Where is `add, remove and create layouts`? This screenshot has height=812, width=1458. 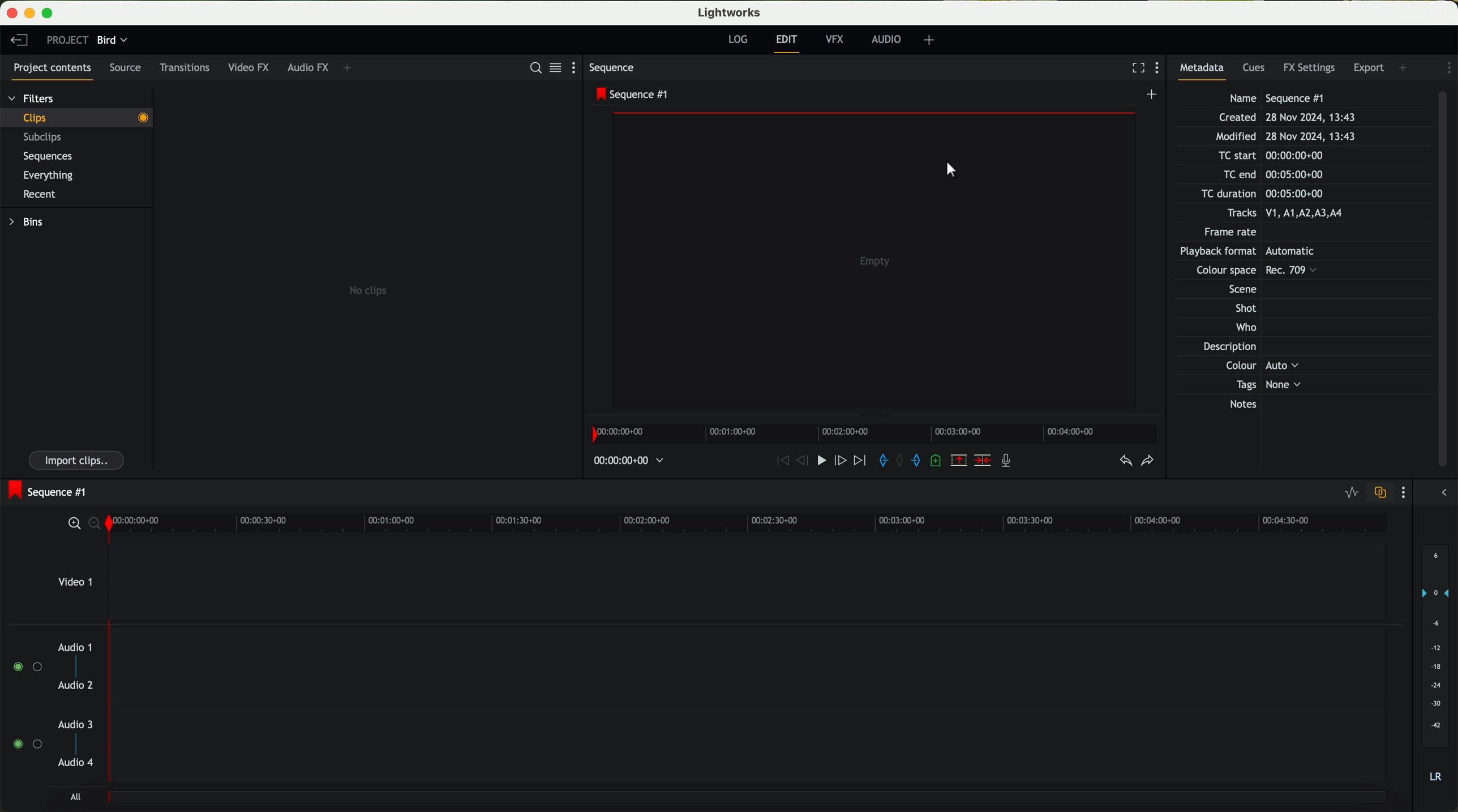 add, remove and create layouts is located at coordinates (929, 41).